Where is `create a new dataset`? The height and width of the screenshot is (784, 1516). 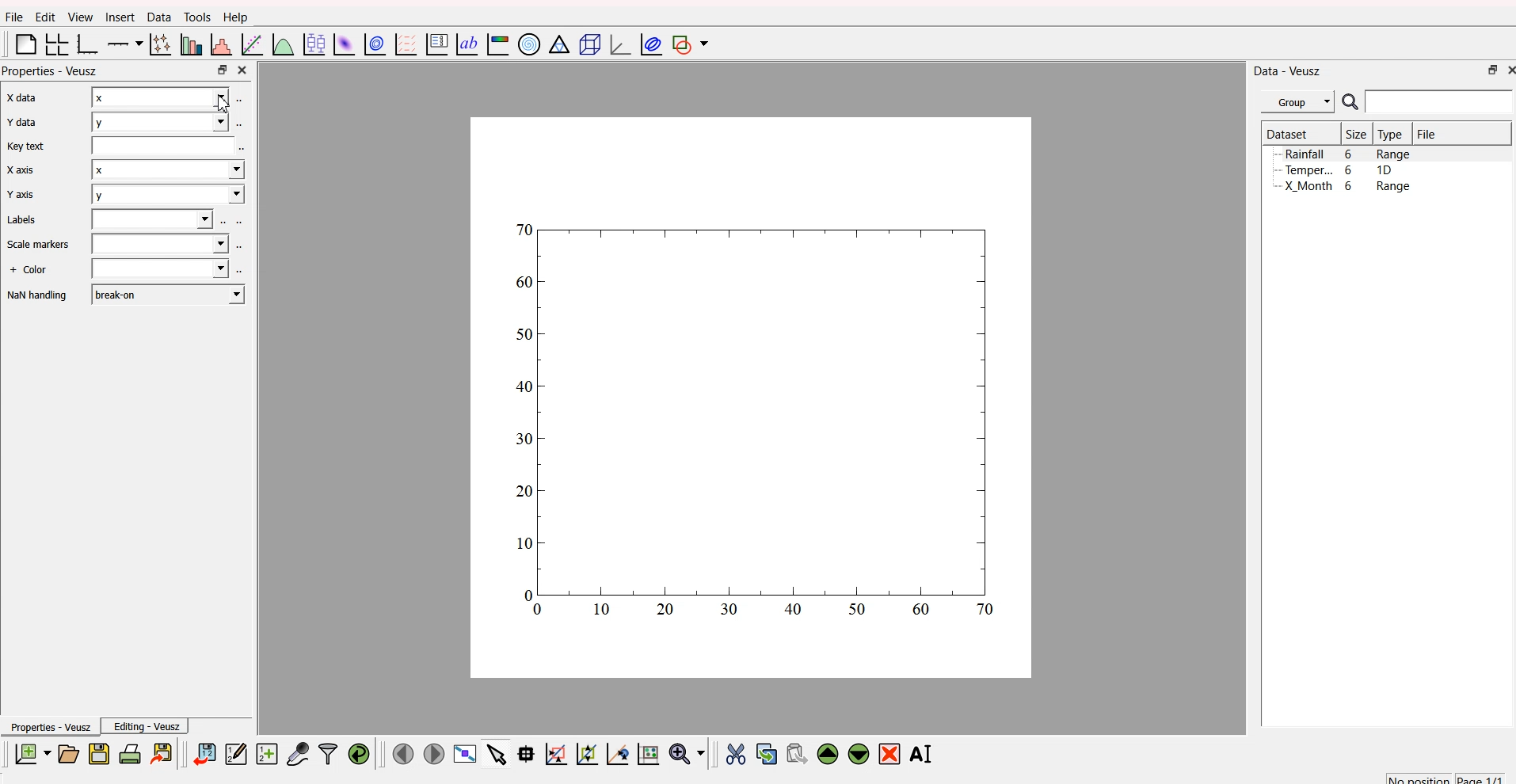 create a new dataset is located at coordinates (266, 753).